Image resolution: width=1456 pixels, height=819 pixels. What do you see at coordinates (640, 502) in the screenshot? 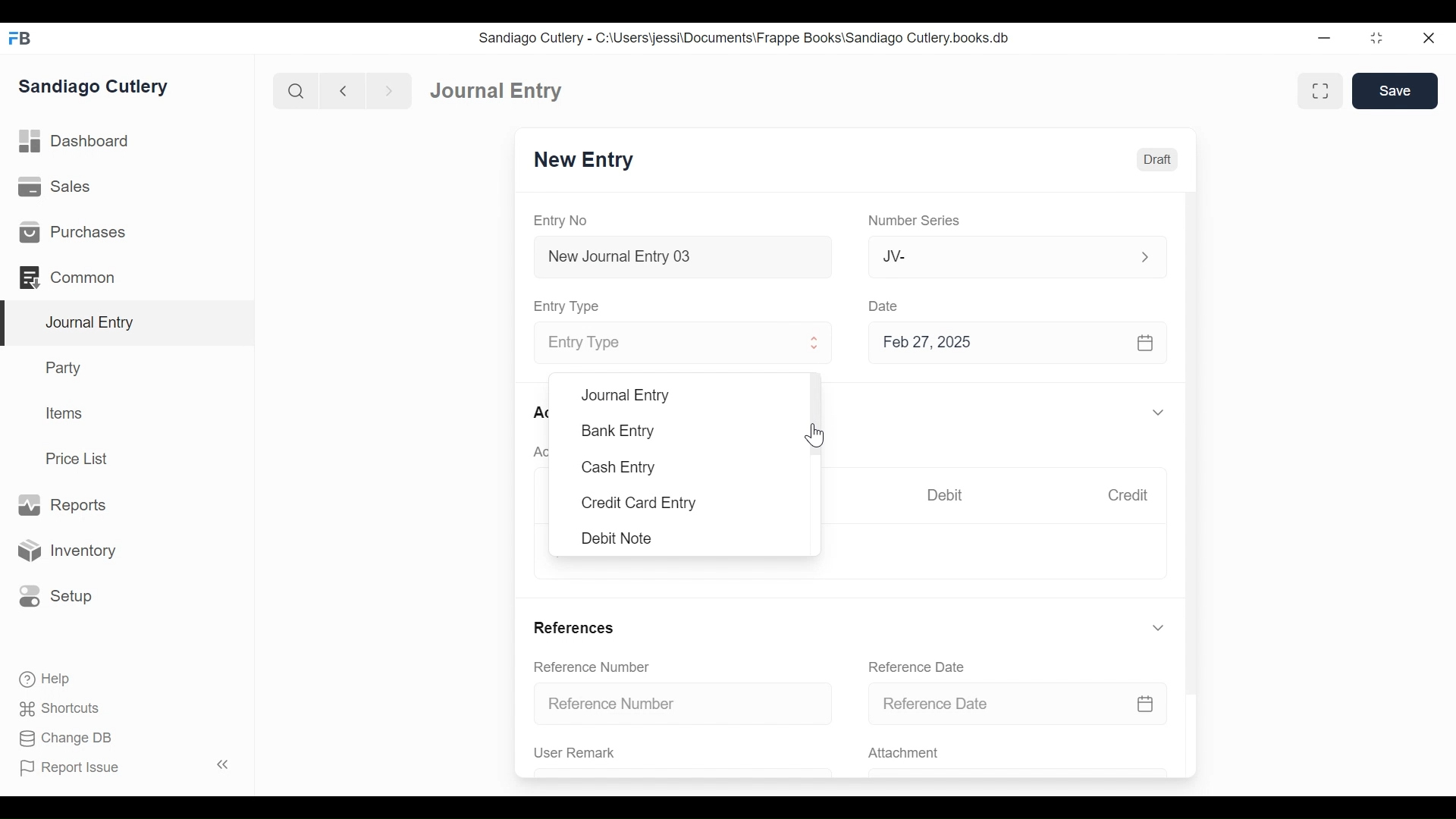
I see `Credit Card Entry` at bounding box center [640, 502].